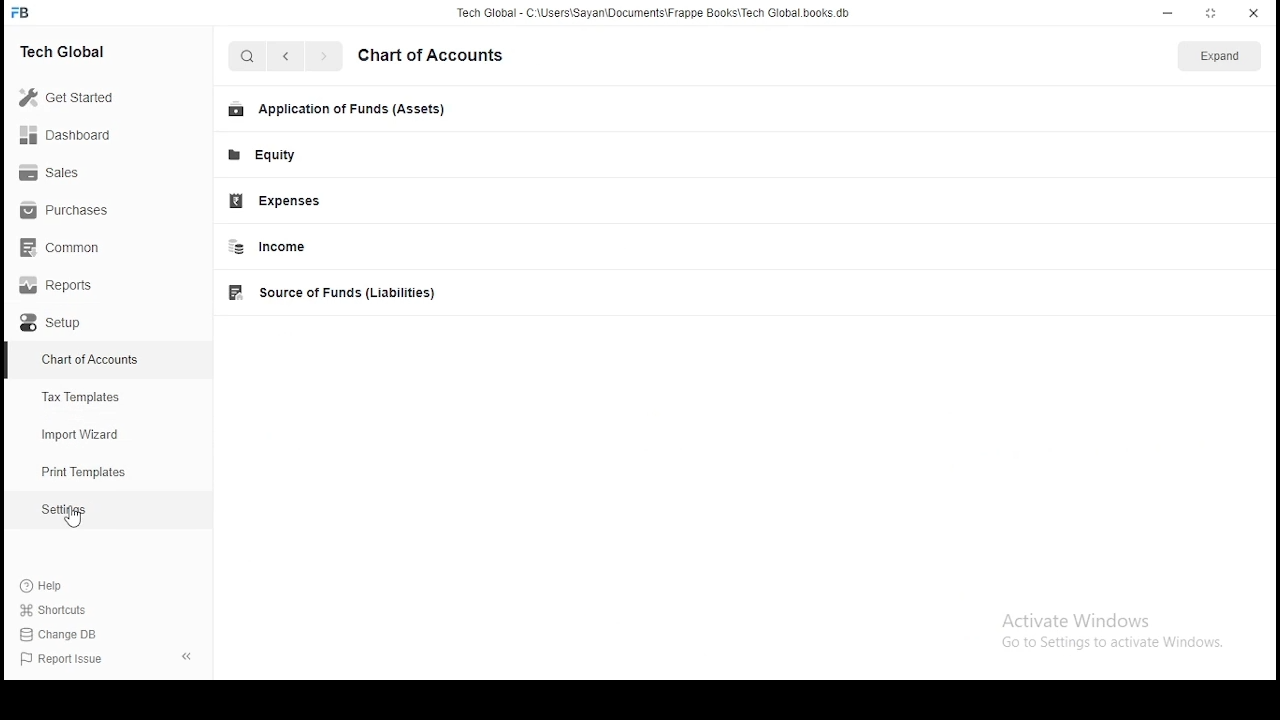  What do you see at coordinates (246, 57) in the screenshot?
I see `search` at bounding box center [246, 57].